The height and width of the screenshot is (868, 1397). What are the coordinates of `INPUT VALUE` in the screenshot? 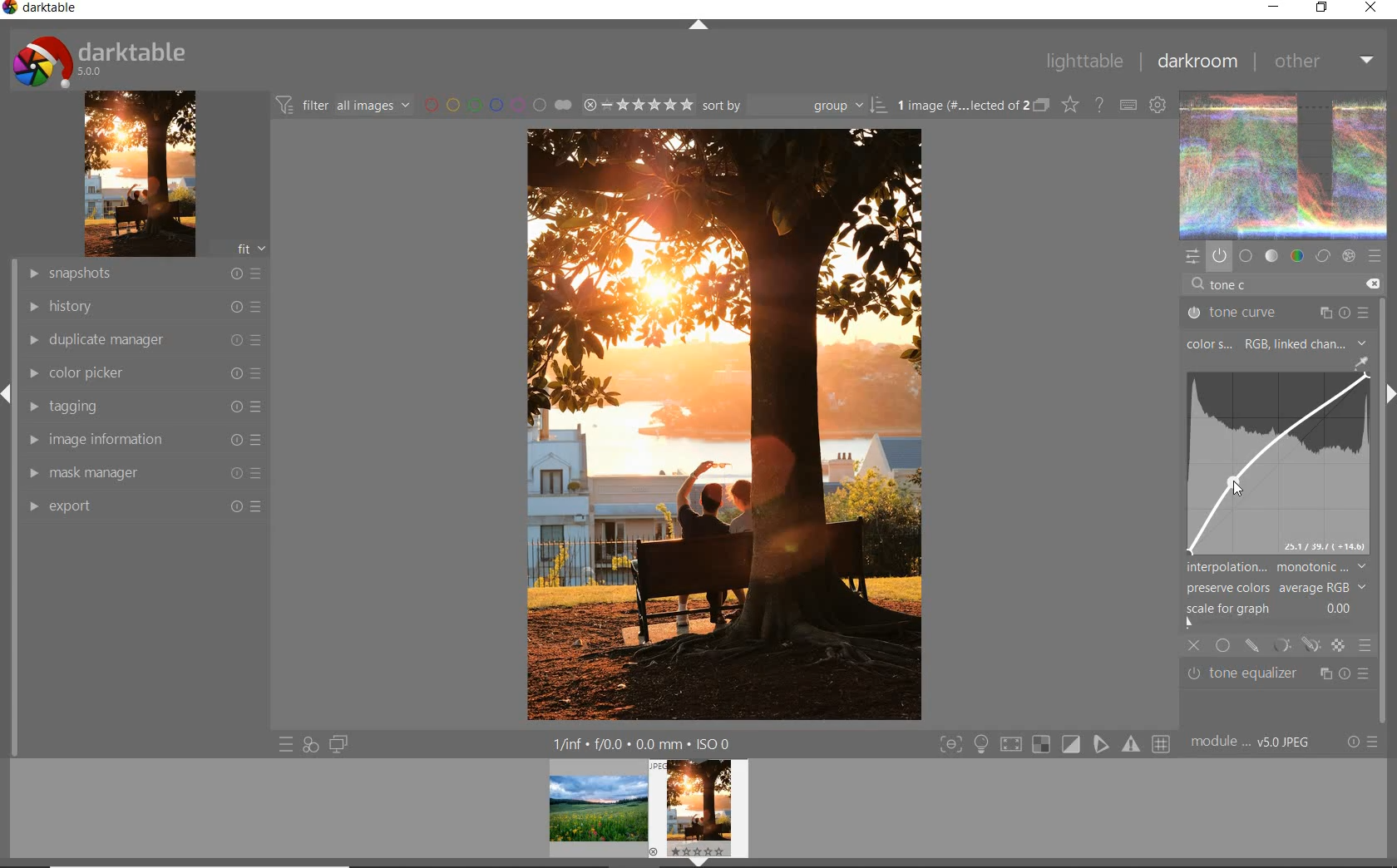 It's located at (1235, 284).